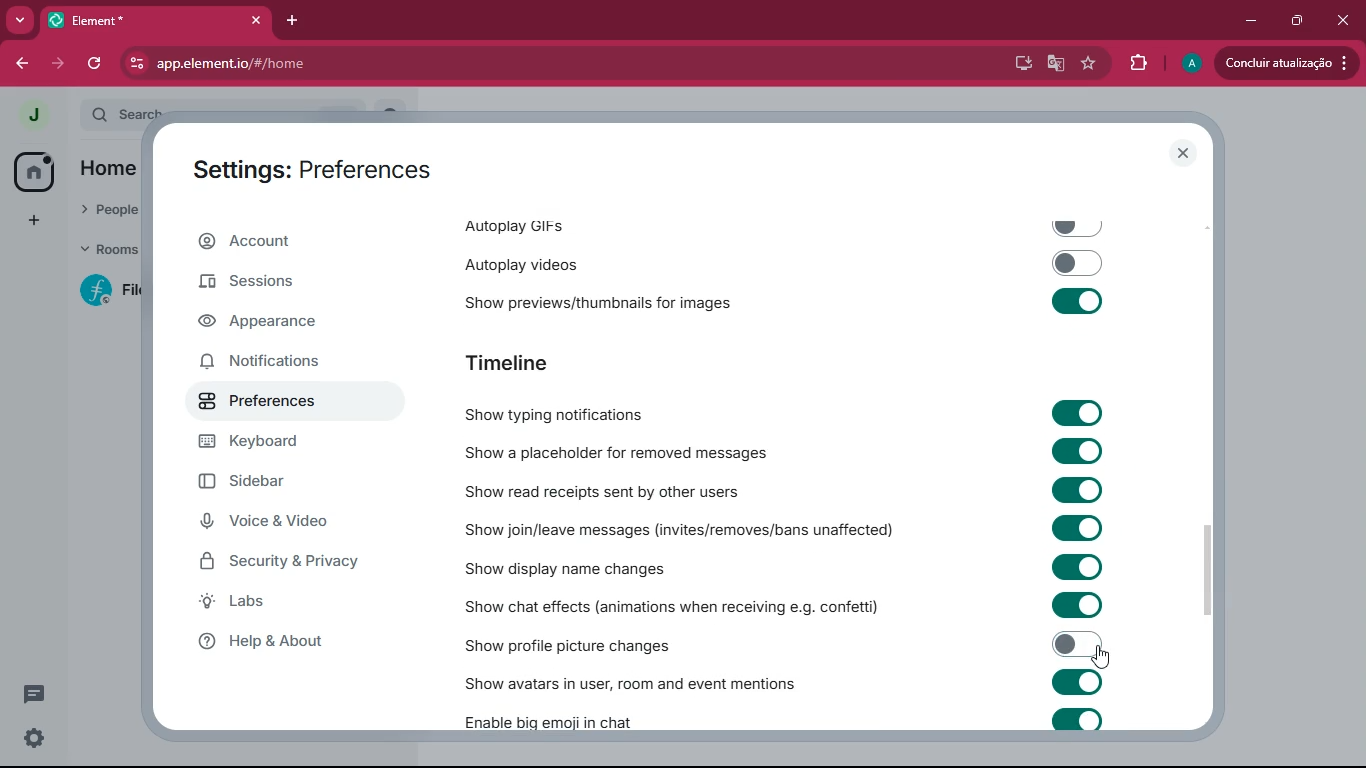  What do you see at coordinates (301, 560) in the screenshot?
I see `security & security` at bounding box center [301, 560].